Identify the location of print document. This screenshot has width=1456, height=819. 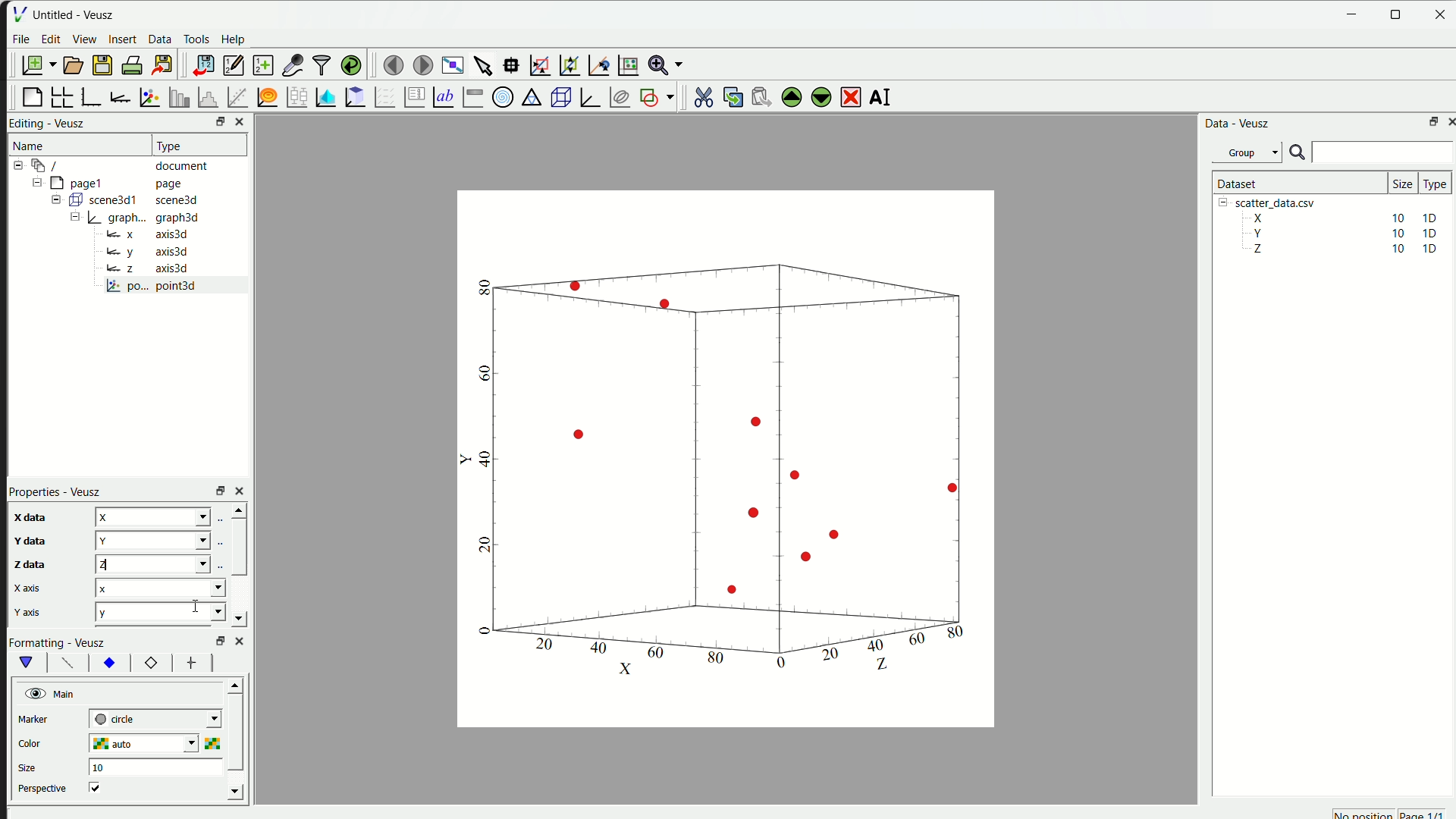
(132, 65).